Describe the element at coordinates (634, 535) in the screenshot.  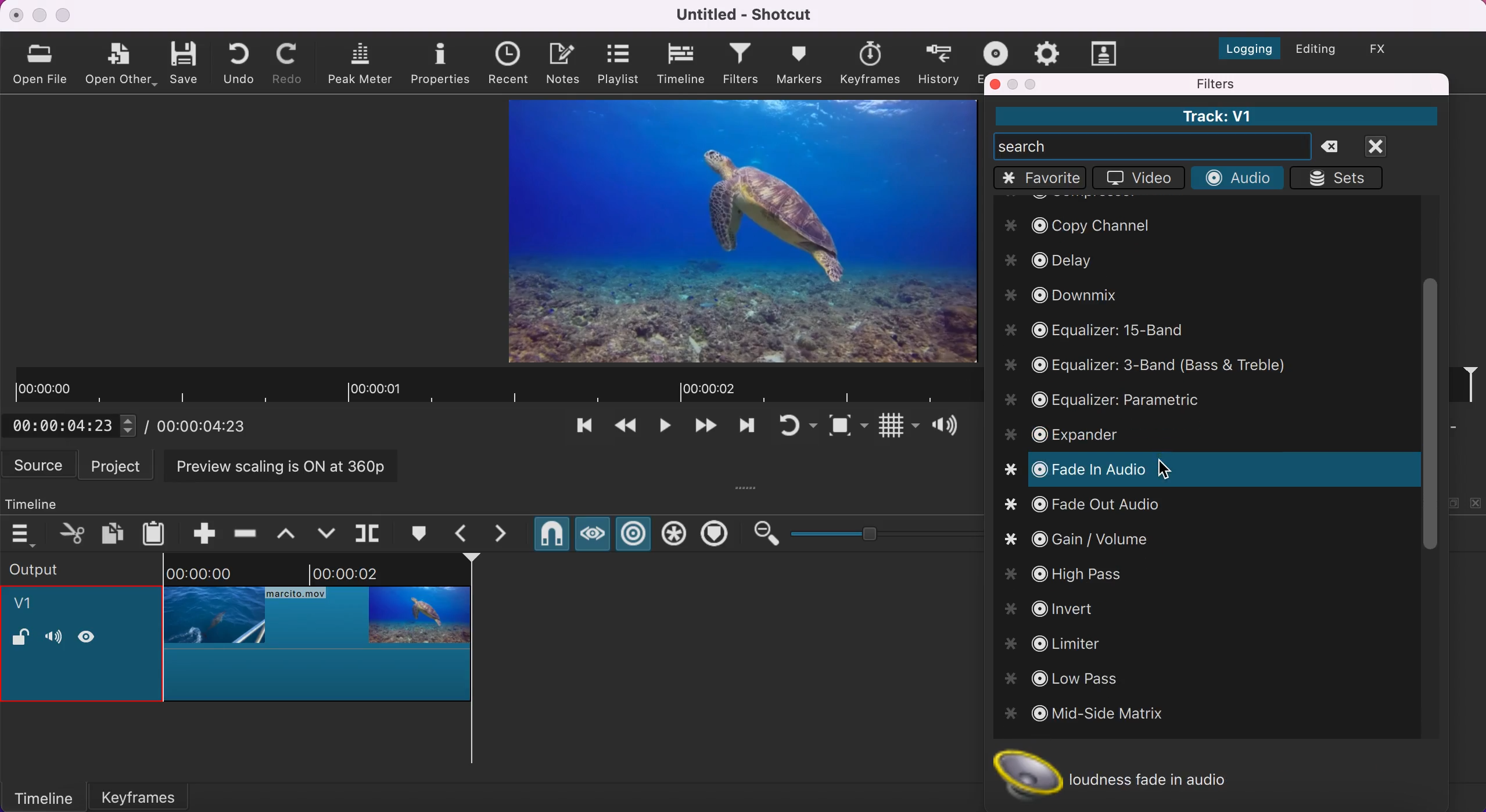
I see `ripple` at that location.